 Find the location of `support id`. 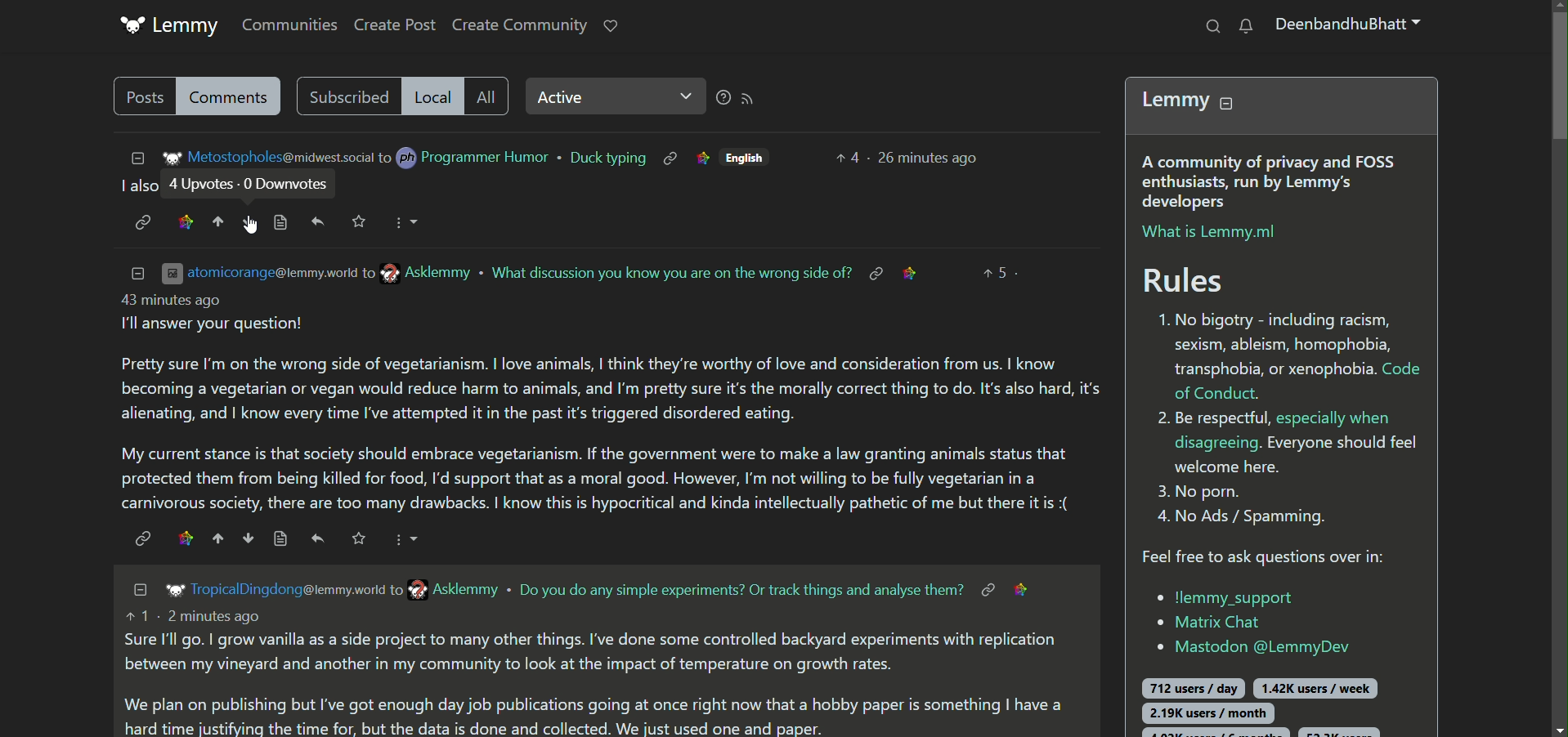

support id is located at coordinates (1247, 647).